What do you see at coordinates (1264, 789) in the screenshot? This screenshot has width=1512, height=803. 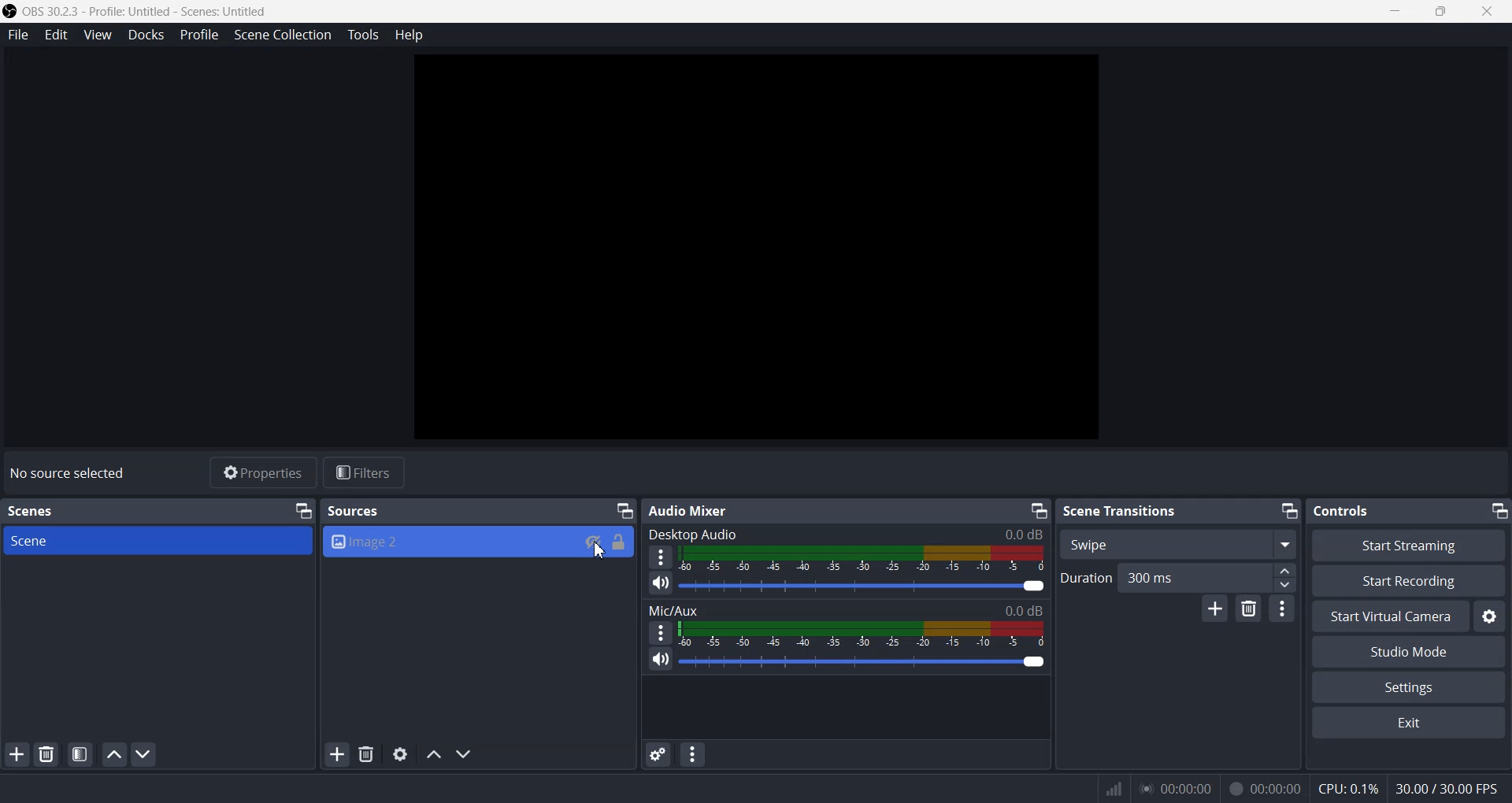 I see `00.00.00` at bounding box center [1264, 789].